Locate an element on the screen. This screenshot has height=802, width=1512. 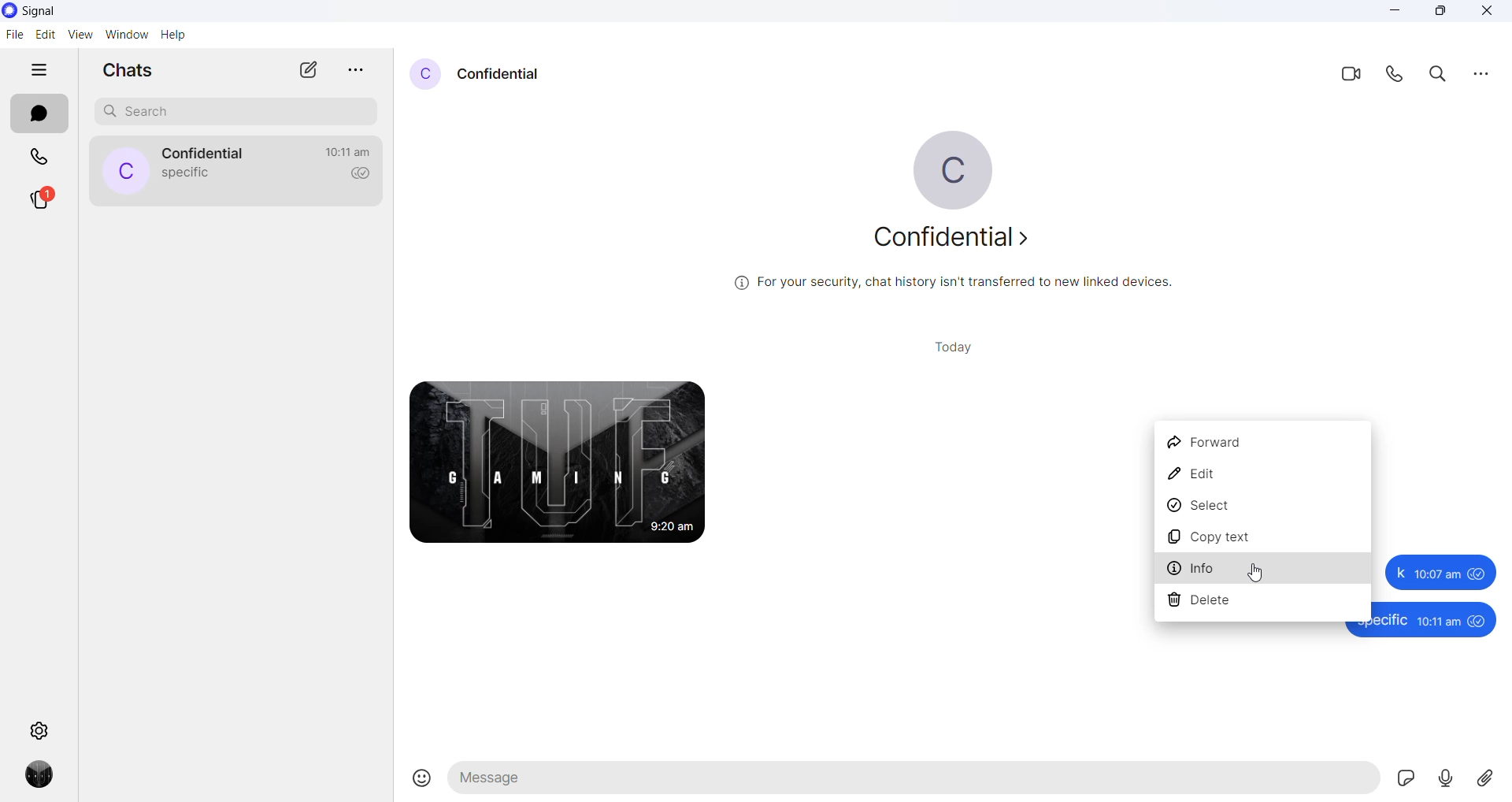
minimize is located at coordinates (1397, 12).